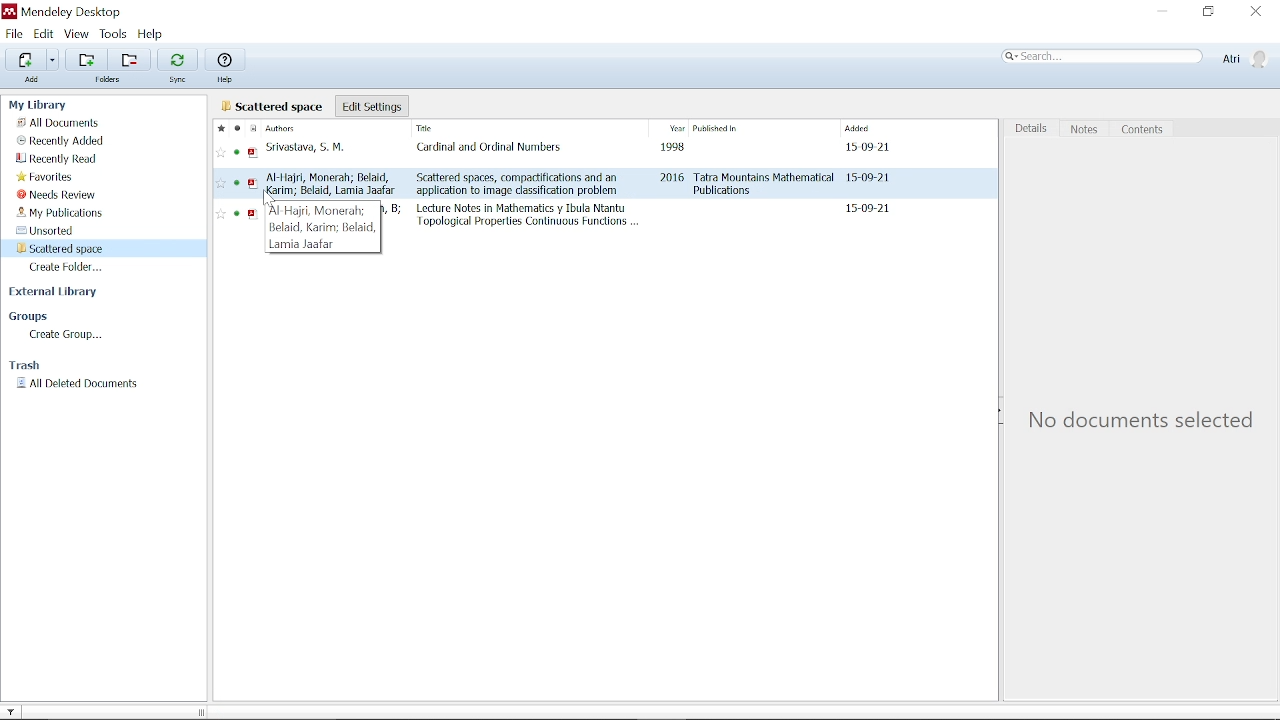 This screenshot has height=720, width=1280. I want to click on All deleted documents, so click(78, 384).